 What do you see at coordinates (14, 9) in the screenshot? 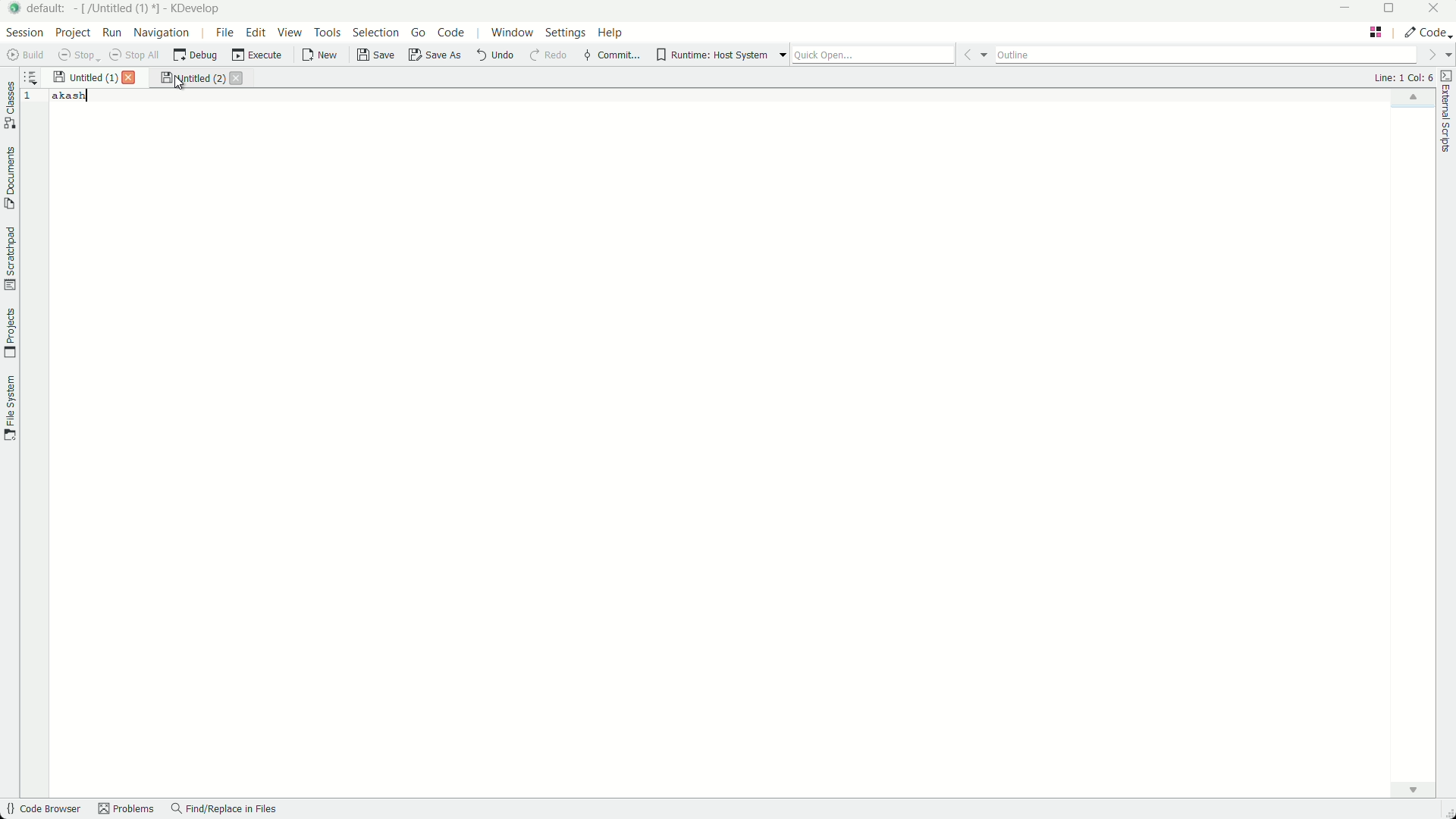
I see `app icon` at bounding box center [14, 9].